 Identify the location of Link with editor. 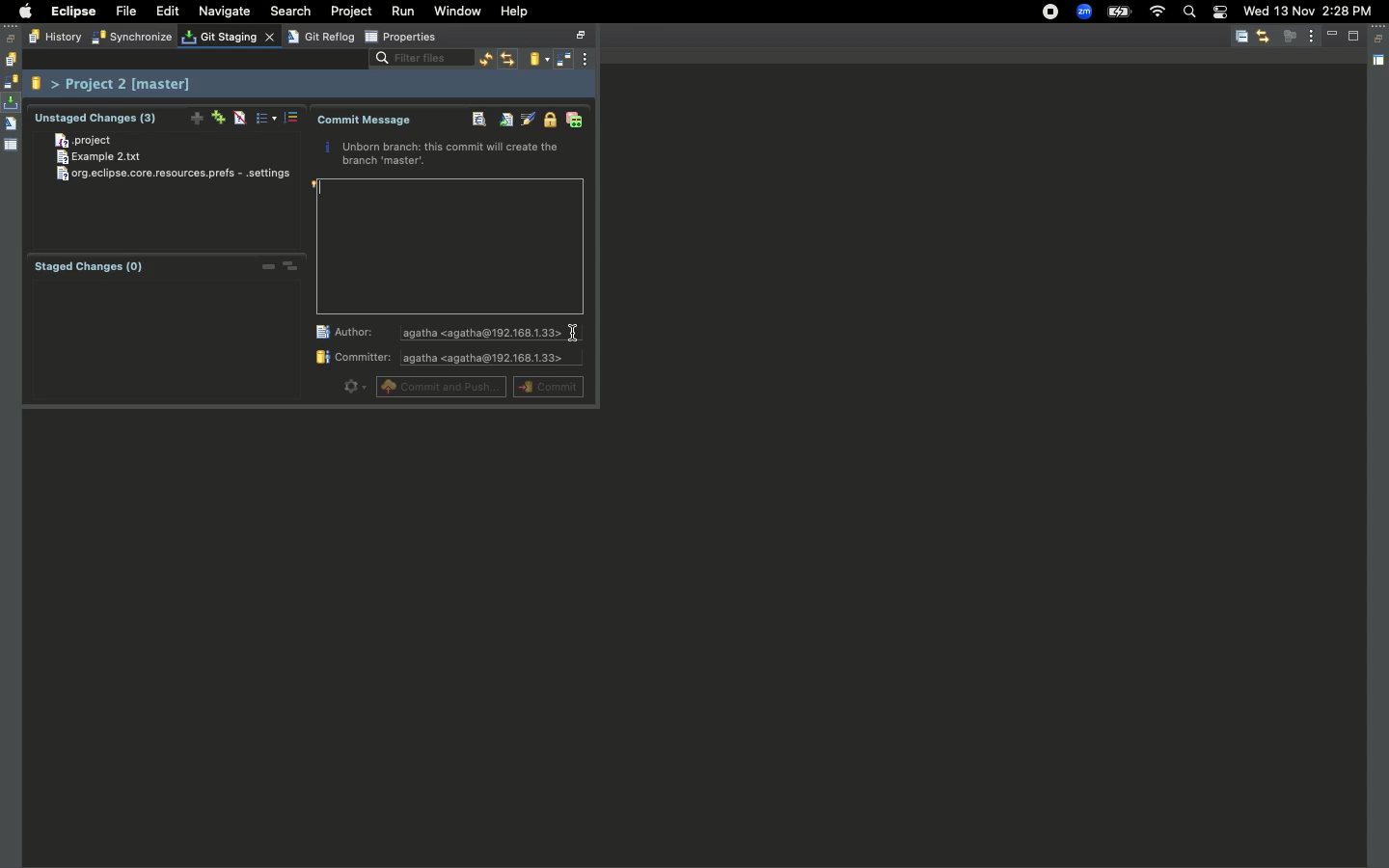
(1263, 36).